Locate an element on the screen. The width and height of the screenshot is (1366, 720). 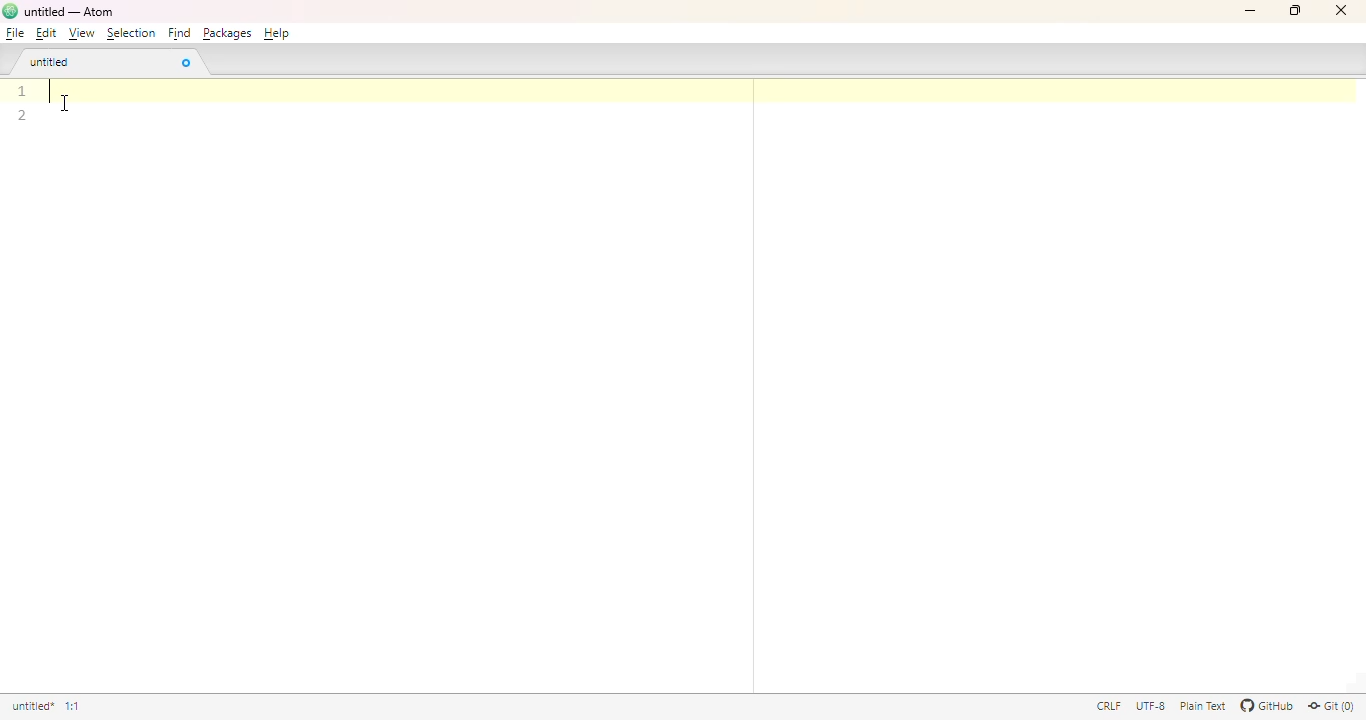
help is located at coordinates (276, 34).